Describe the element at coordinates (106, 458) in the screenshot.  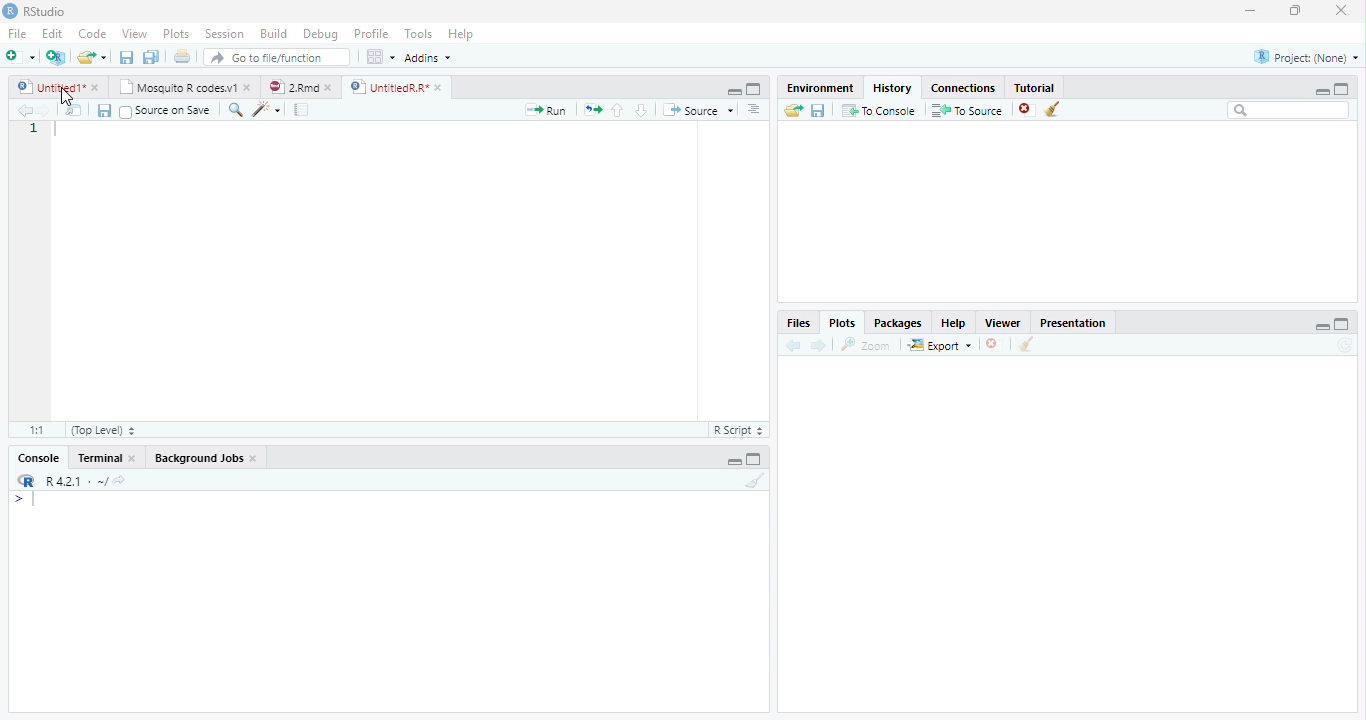
I see `Terminal` at that location.